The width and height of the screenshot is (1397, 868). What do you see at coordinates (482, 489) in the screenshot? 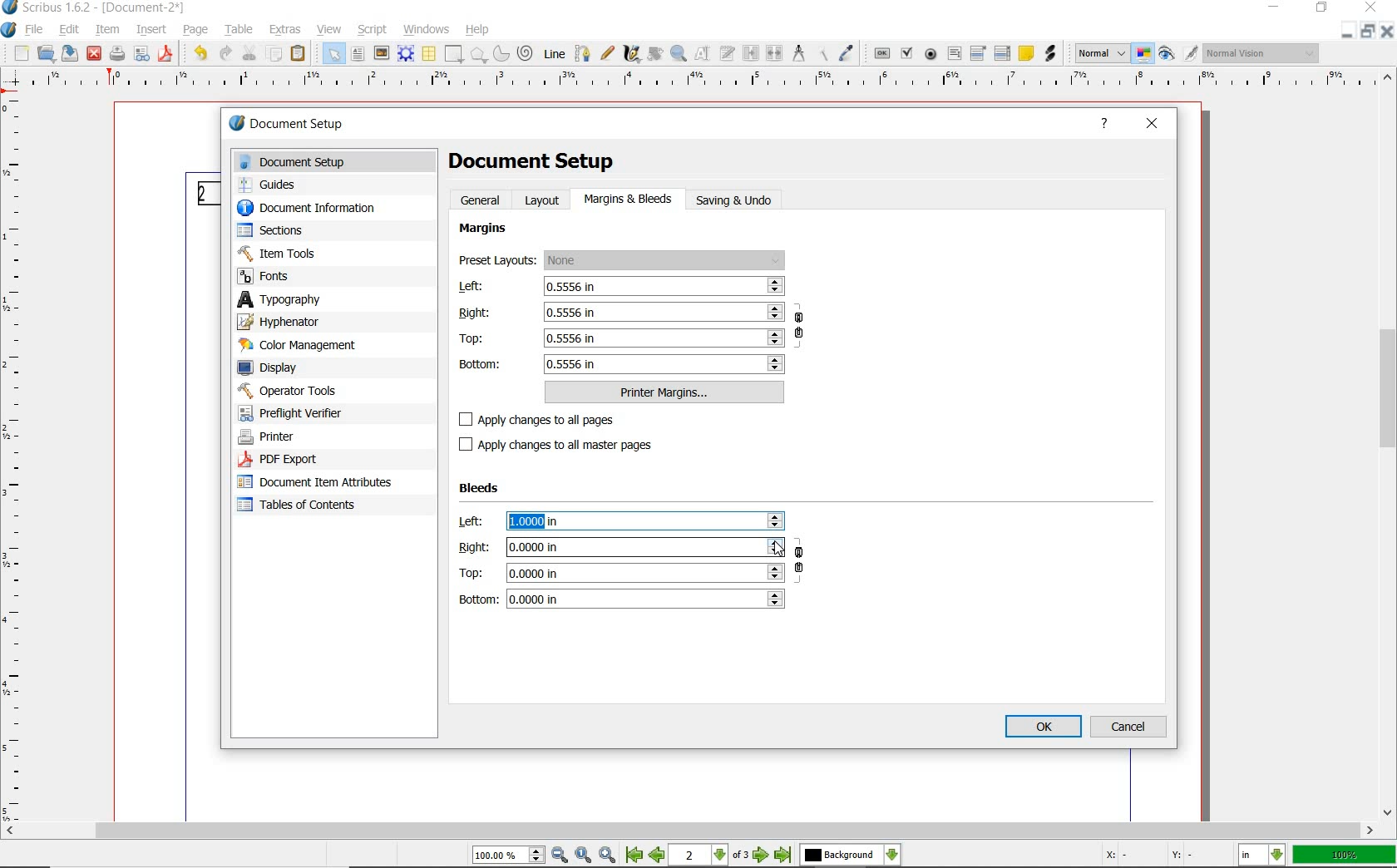
I see `Bleeds` at bounding box center [482, 489].